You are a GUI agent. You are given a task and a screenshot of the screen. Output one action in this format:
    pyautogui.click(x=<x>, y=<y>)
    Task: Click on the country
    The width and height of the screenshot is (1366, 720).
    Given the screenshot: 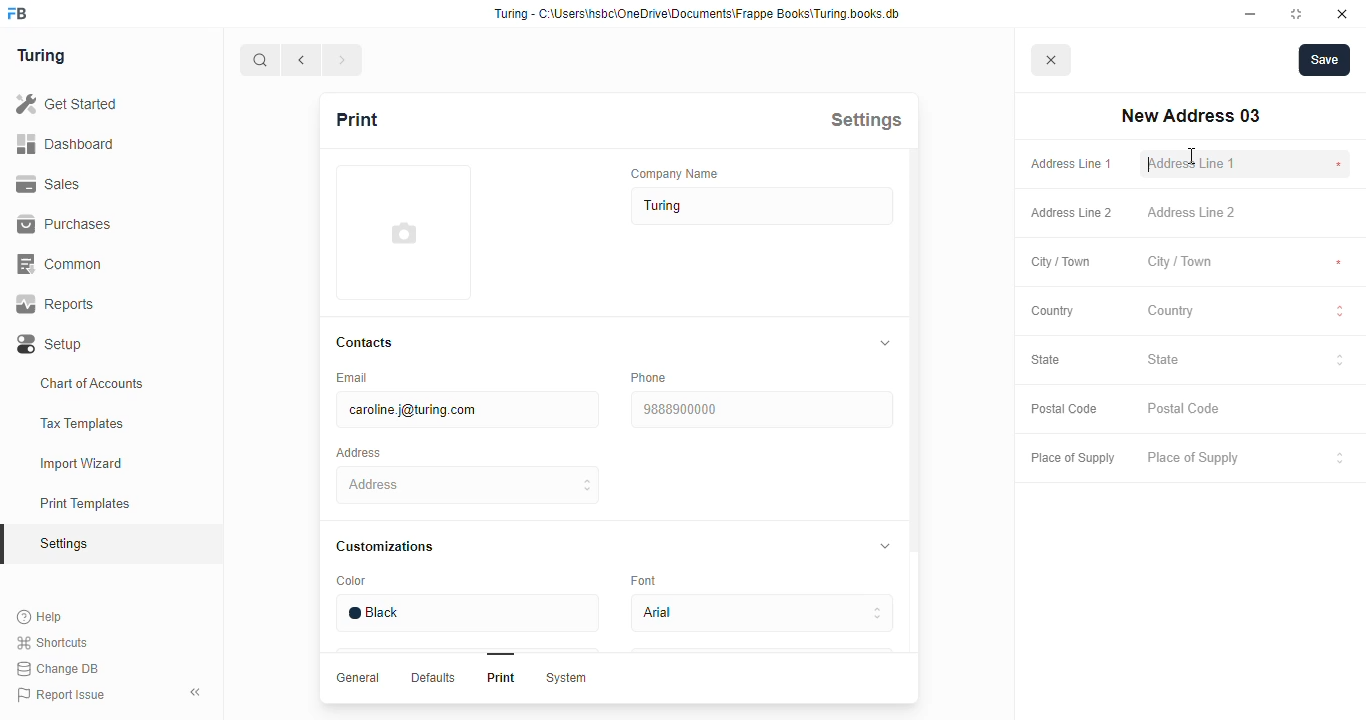 What is the action you would take?
    pyautogui.click(x=1246, y=313)
    